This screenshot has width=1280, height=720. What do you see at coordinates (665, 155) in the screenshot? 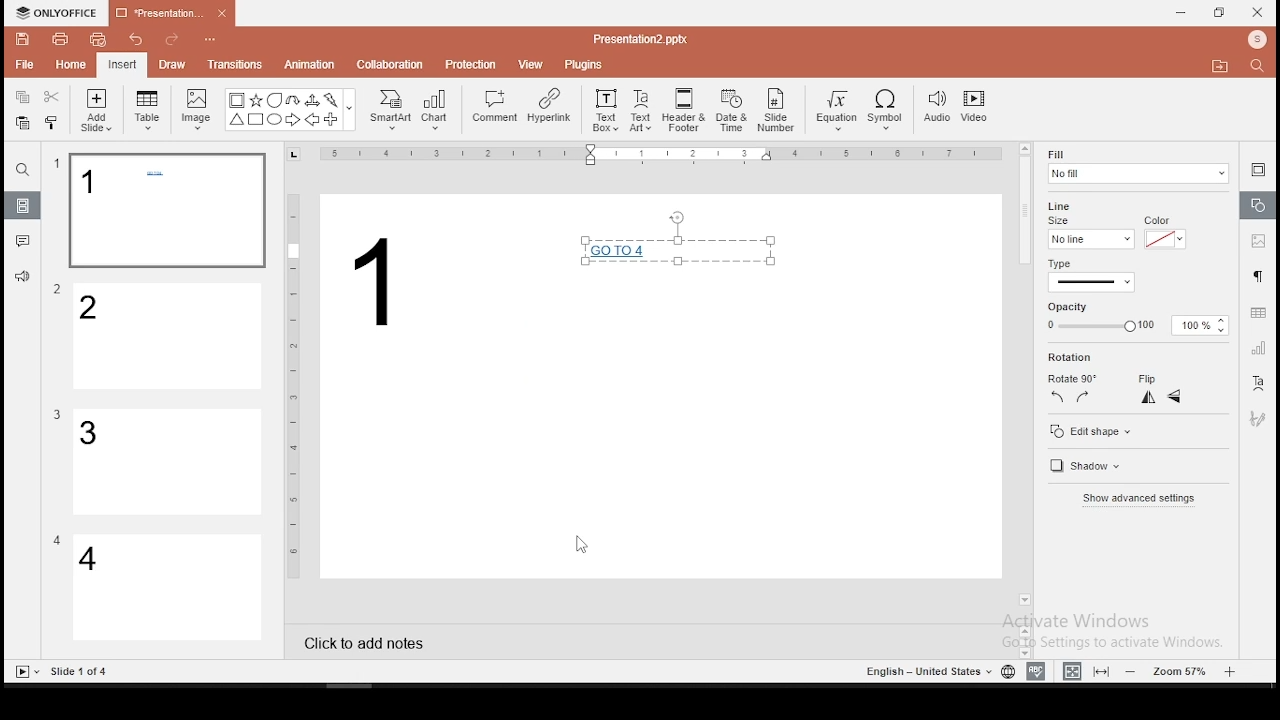
I see `` at bounding box center [665, 155].